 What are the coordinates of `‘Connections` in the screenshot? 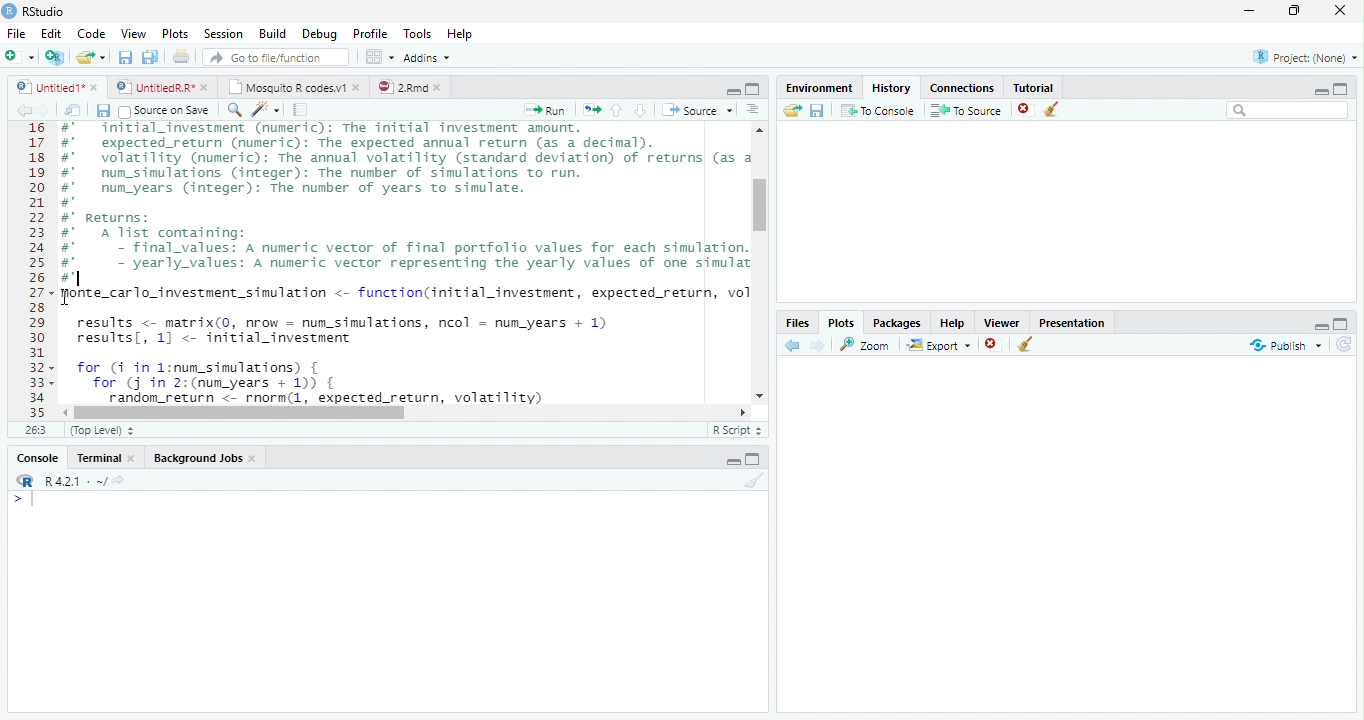 It's located at (959, 86).